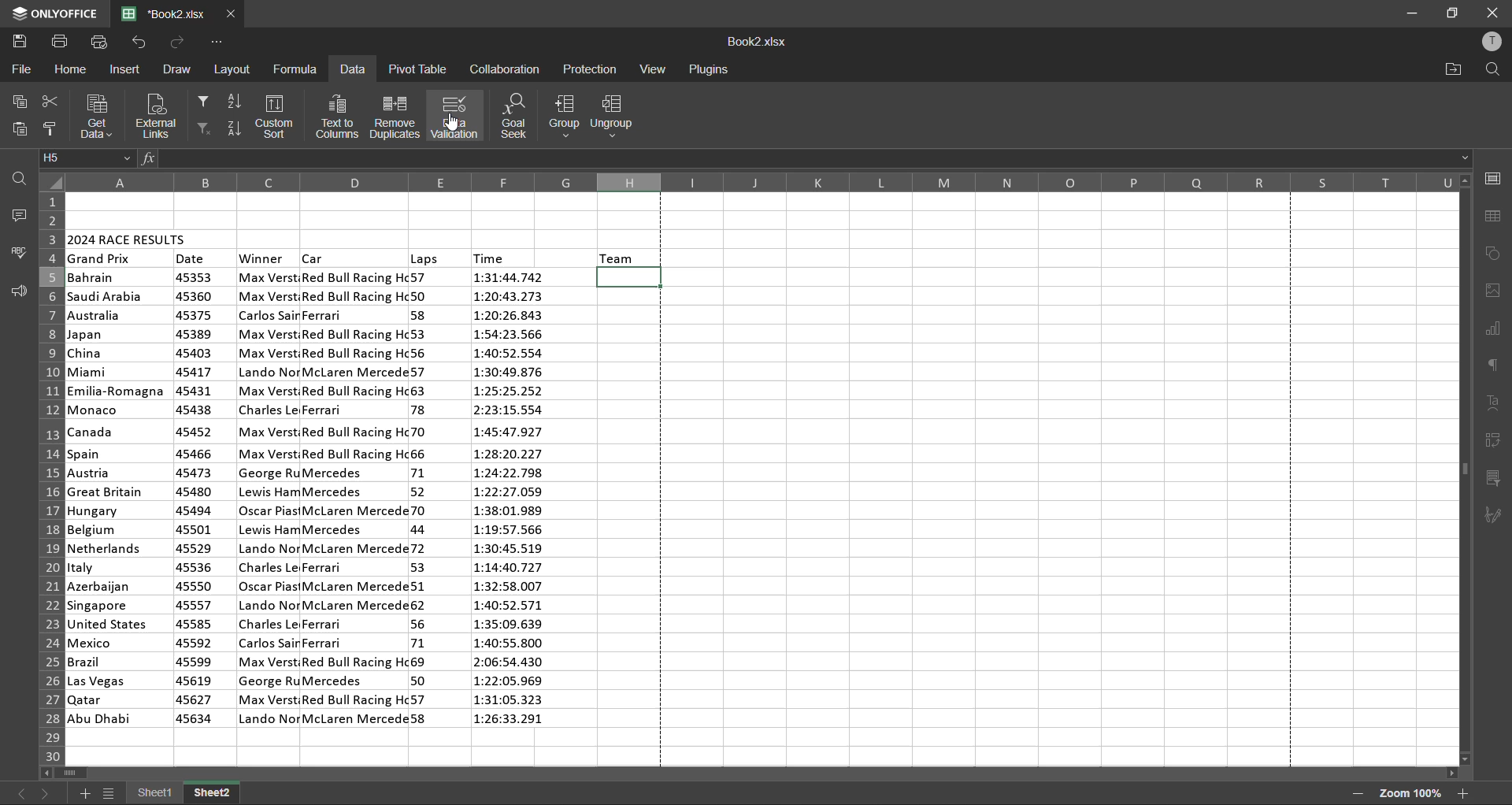 This screenshot has width=1512, height=805. I want to click on zoom out, so click(1356, 794).